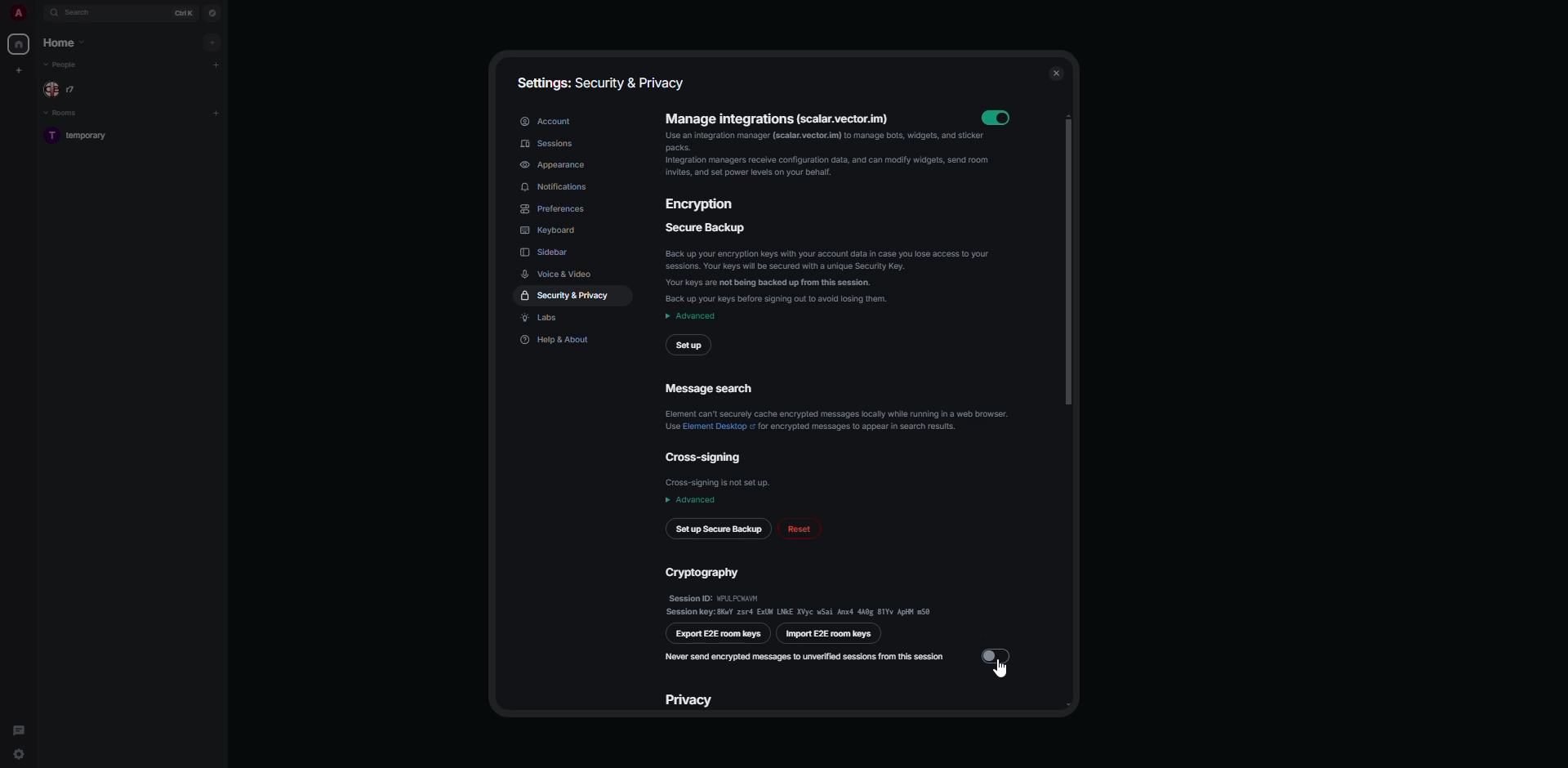  What do you see at coordinates (1000, 672) in the screenshot?
I see `cursor` at bounding box center [1000, 672].